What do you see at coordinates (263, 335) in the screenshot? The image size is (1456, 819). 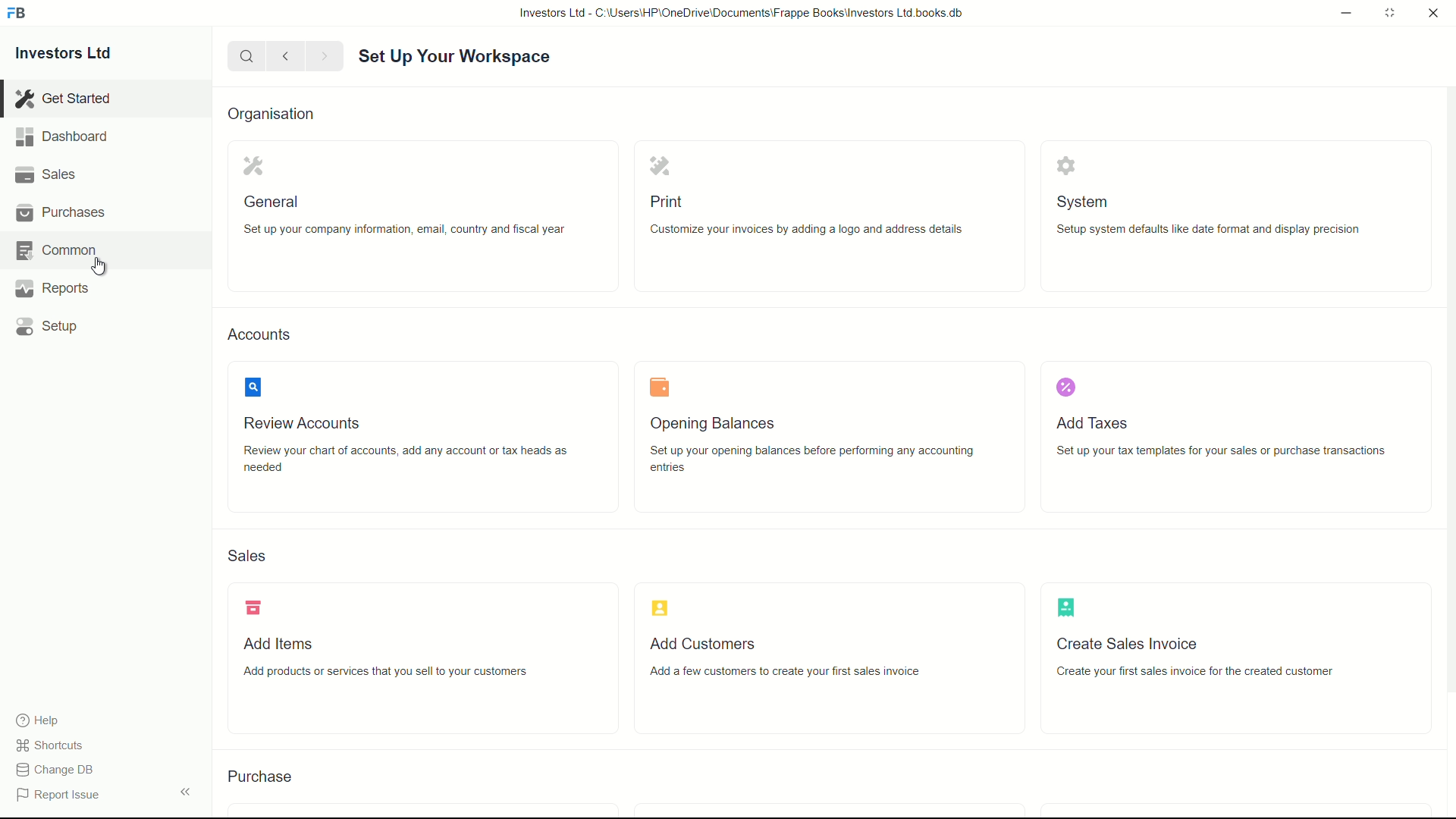 I see `Accounts` at bounding box center [263, 335].